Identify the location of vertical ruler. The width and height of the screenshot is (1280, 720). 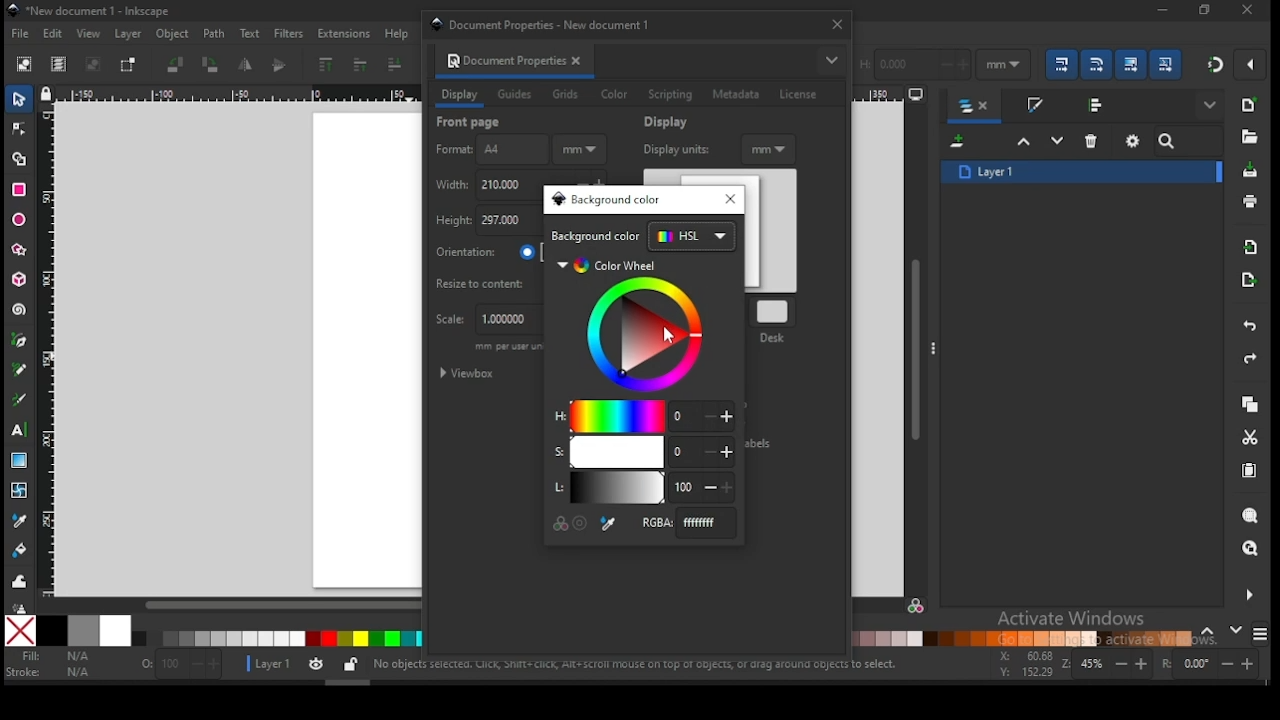
(52, 348).